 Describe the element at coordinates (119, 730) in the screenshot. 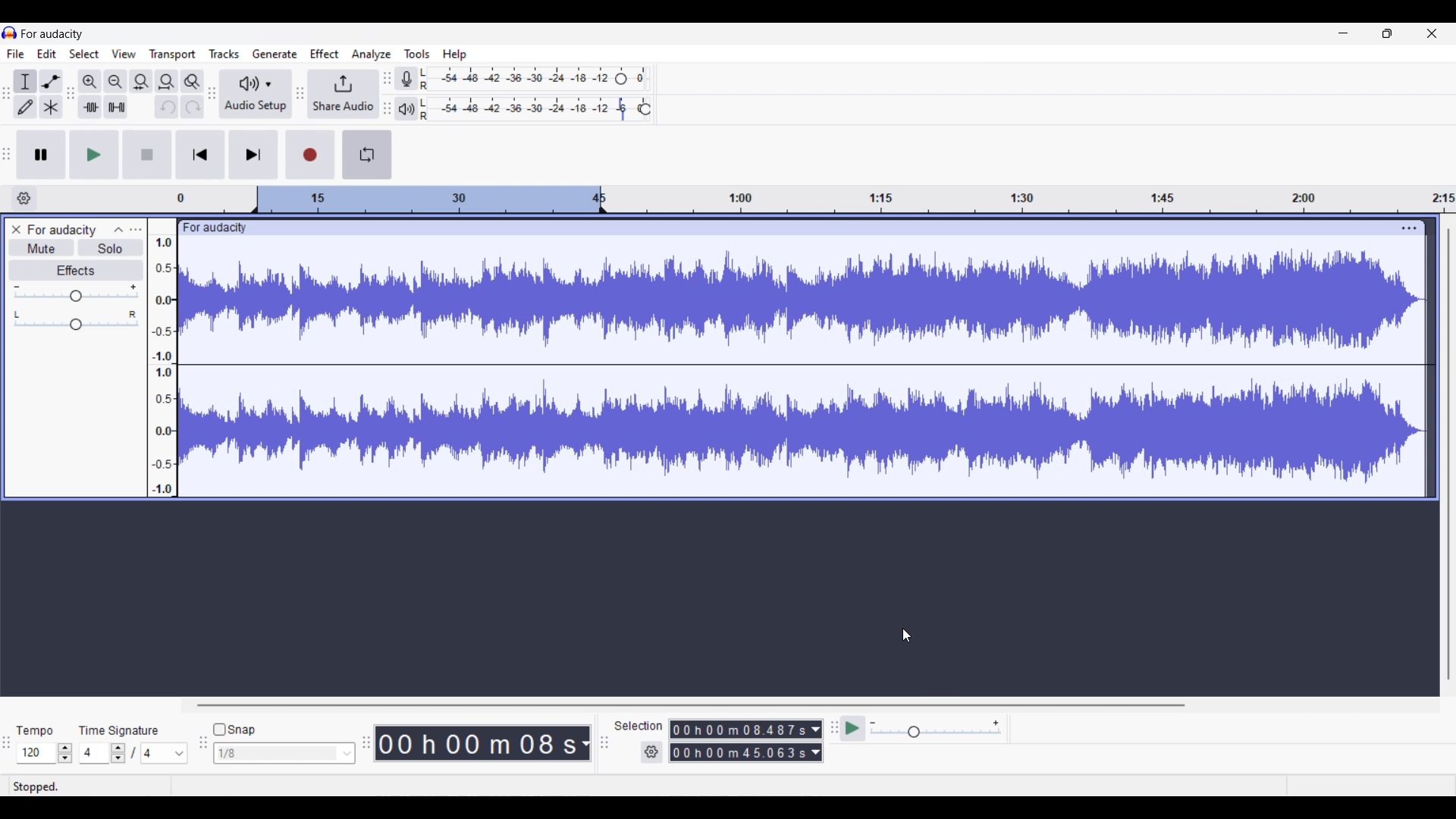

I see `Indicates time signature settings` at that location.